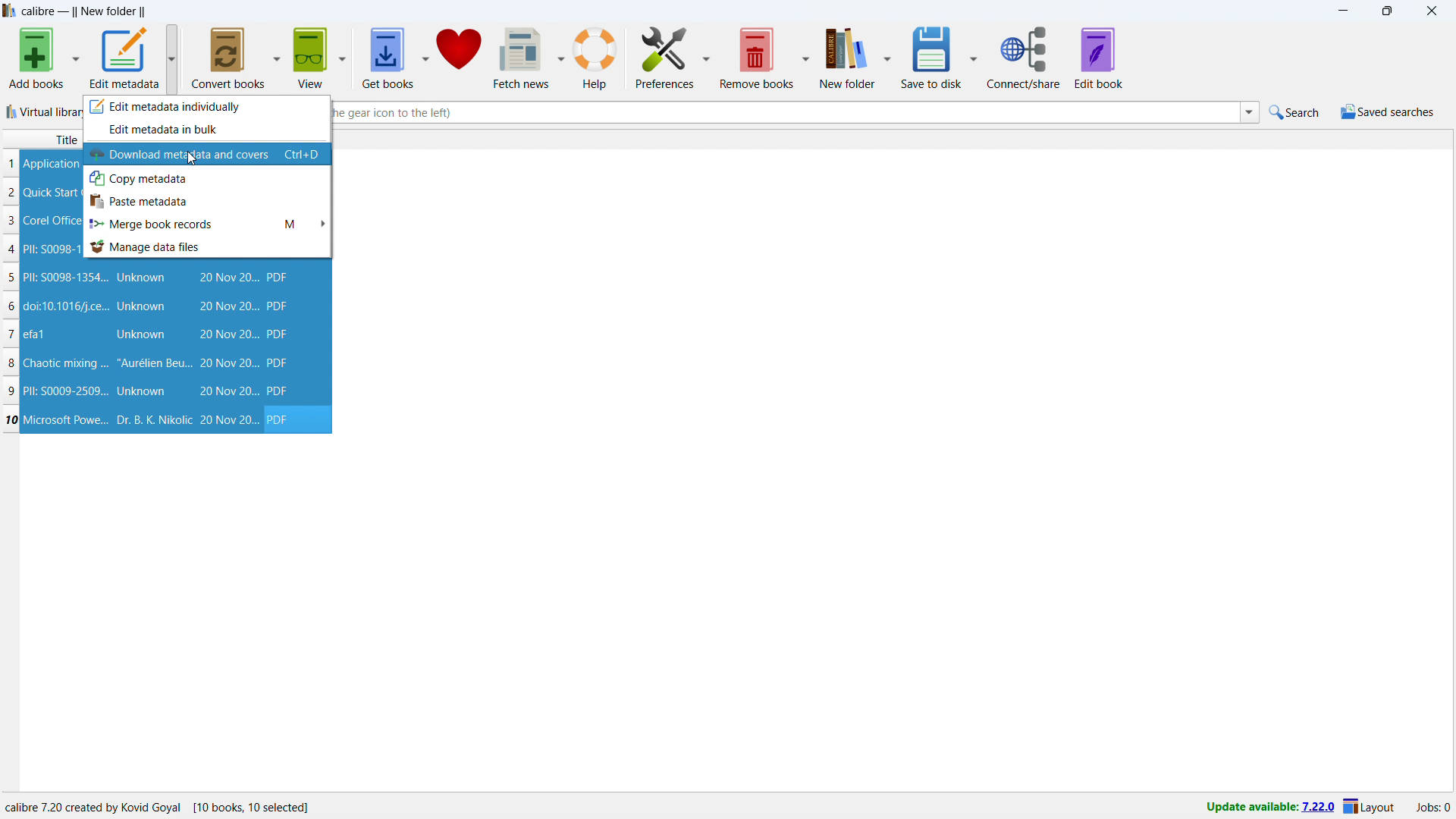 This screenshot has height=819, width=1456. Describe the element at coordinates (933, 56) in the screenshot. I see `save to disk` at that location.